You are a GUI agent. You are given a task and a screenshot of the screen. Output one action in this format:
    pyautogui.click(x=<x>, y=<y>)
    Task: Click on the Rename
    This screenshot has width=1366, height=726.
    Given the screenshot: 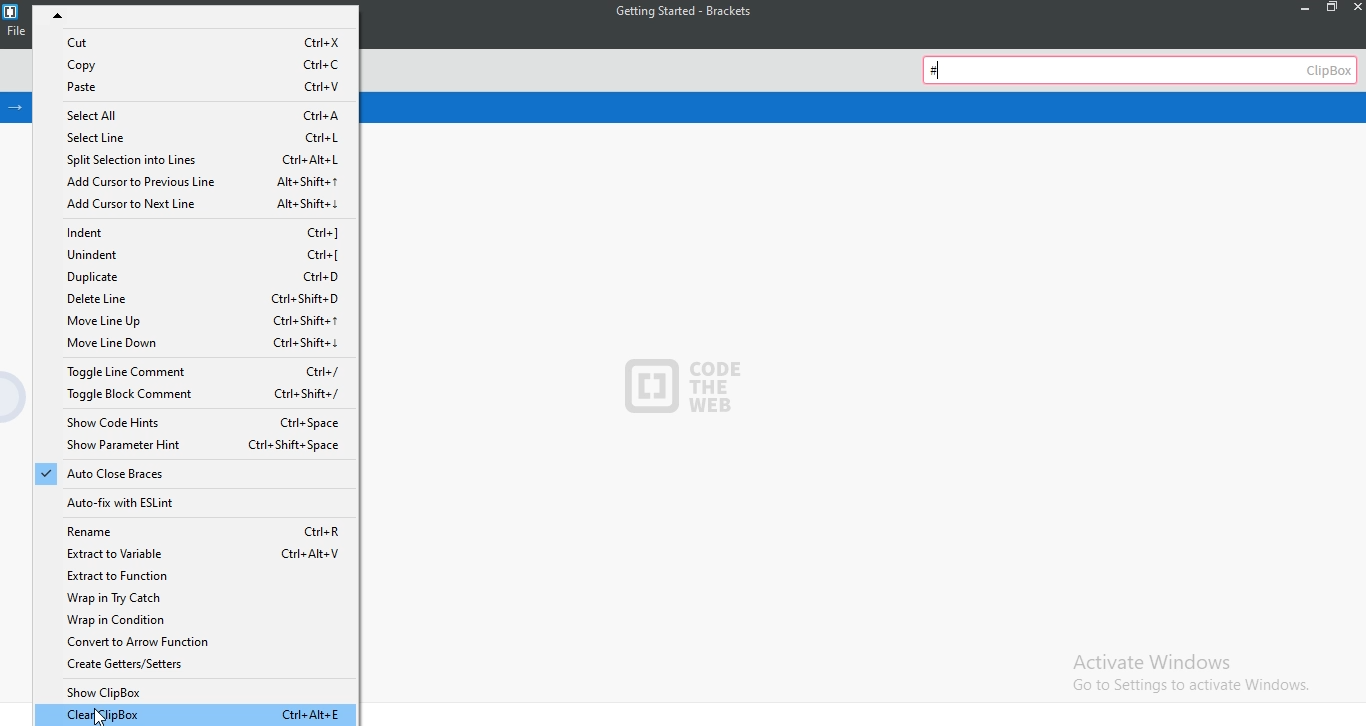 What is the action you would take?
    pyautogui.click(x=196, y=528)
    